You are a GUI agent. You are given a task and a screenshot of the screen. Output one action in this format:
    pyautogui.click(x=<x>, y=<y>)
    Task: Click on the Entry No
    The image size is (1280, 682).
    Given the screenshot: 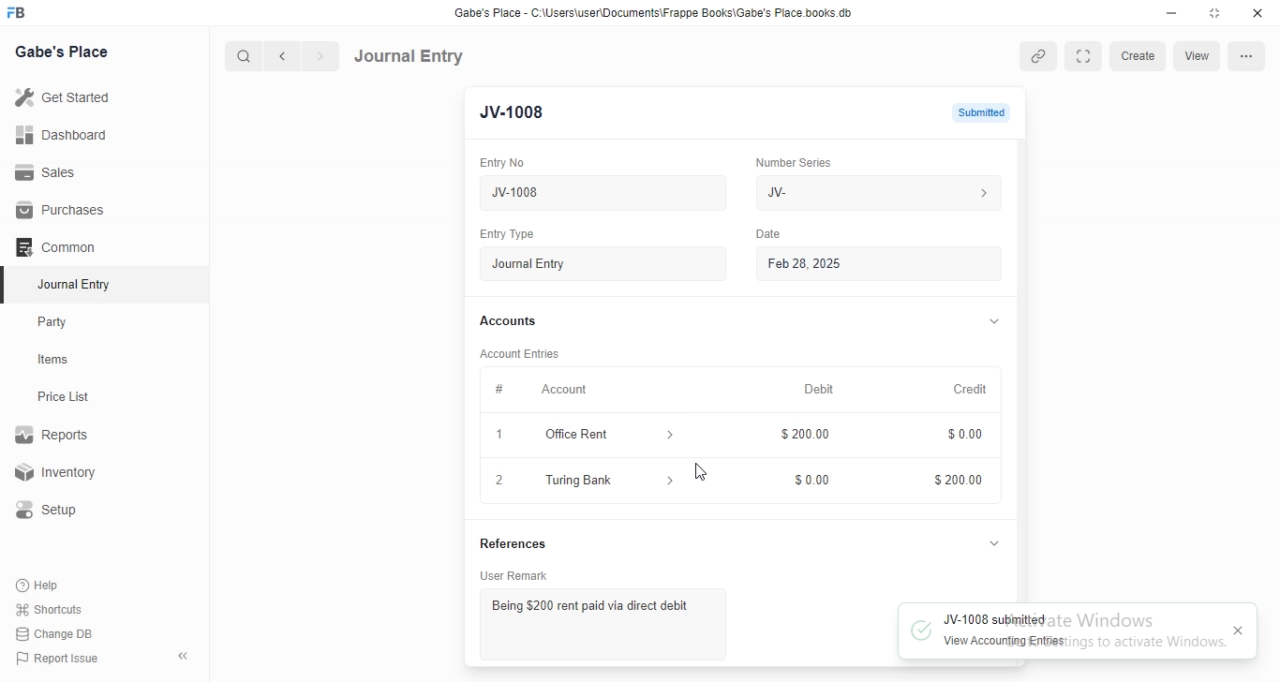 What is the action you would take?
    pyautogui.click(x=505, y=162)
    